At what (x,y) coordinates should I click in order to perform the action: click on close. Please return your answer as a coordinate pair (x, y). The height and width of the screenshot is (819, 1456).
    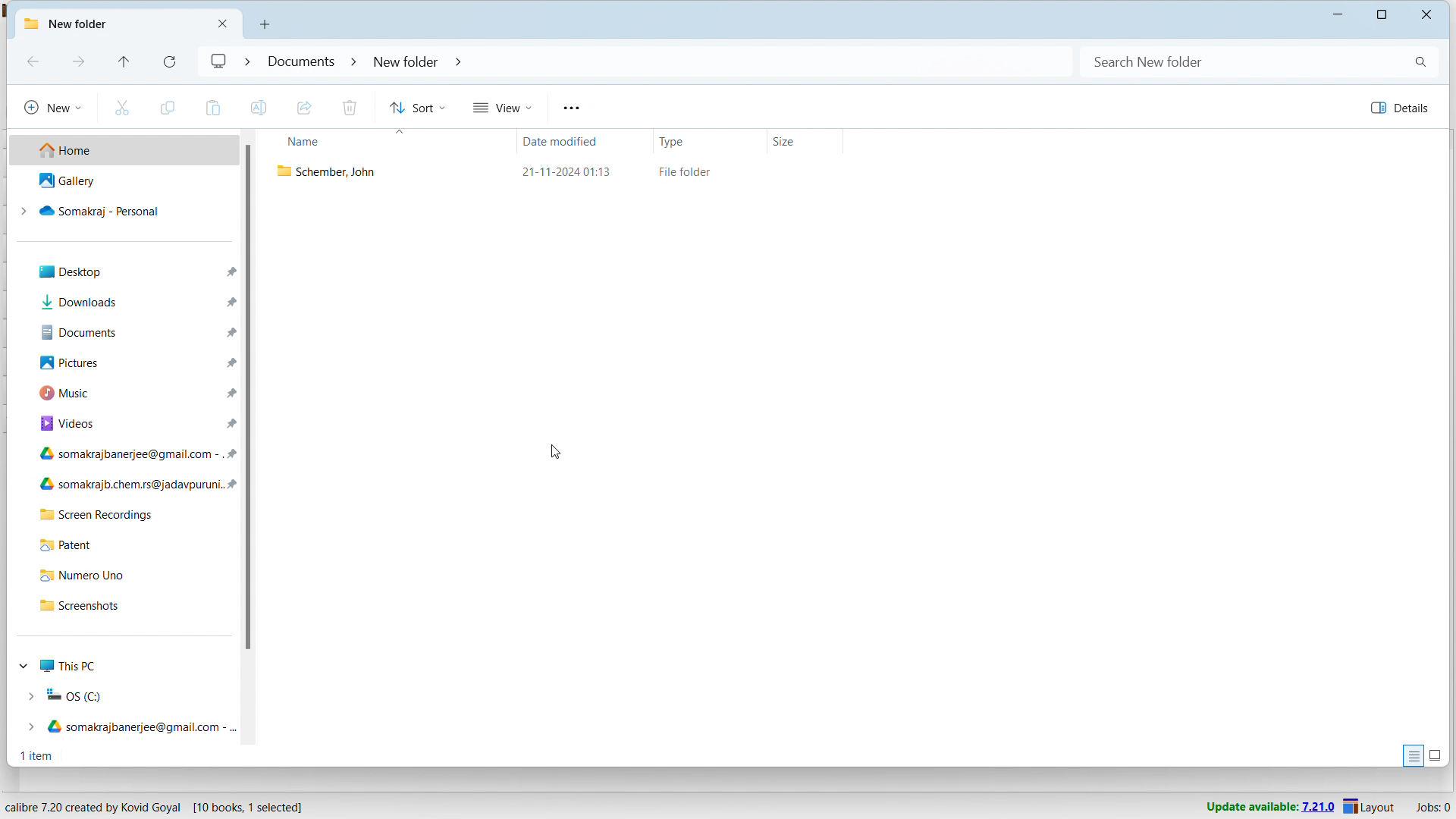
    Looking at the image, I should click on (1431, 11).